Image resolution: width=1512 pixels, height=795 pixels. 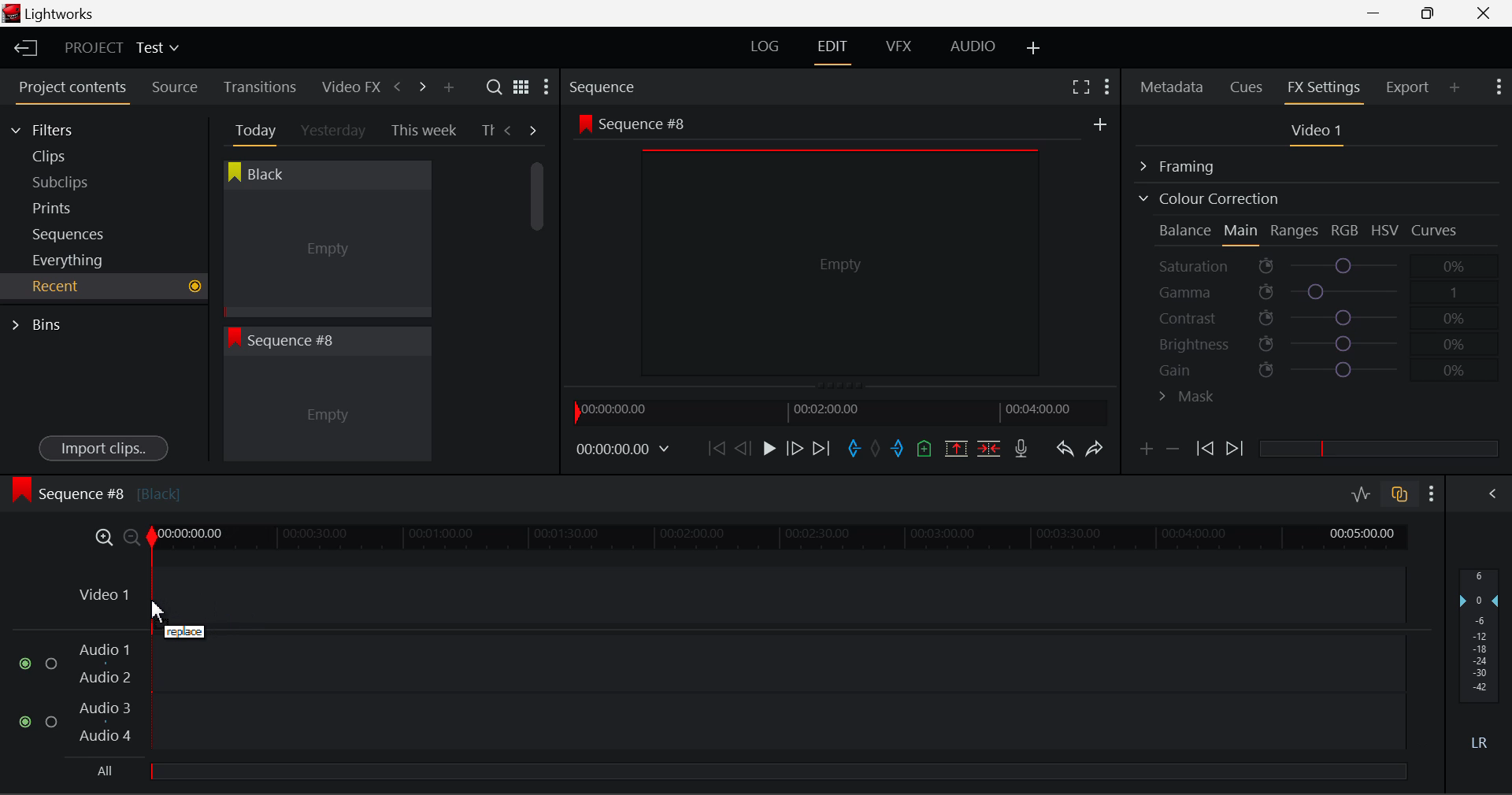 What do you see at coordinates (1173, 452) in the screenshot?
I see `Delete keyframe` at bounding box center [1173, 452].